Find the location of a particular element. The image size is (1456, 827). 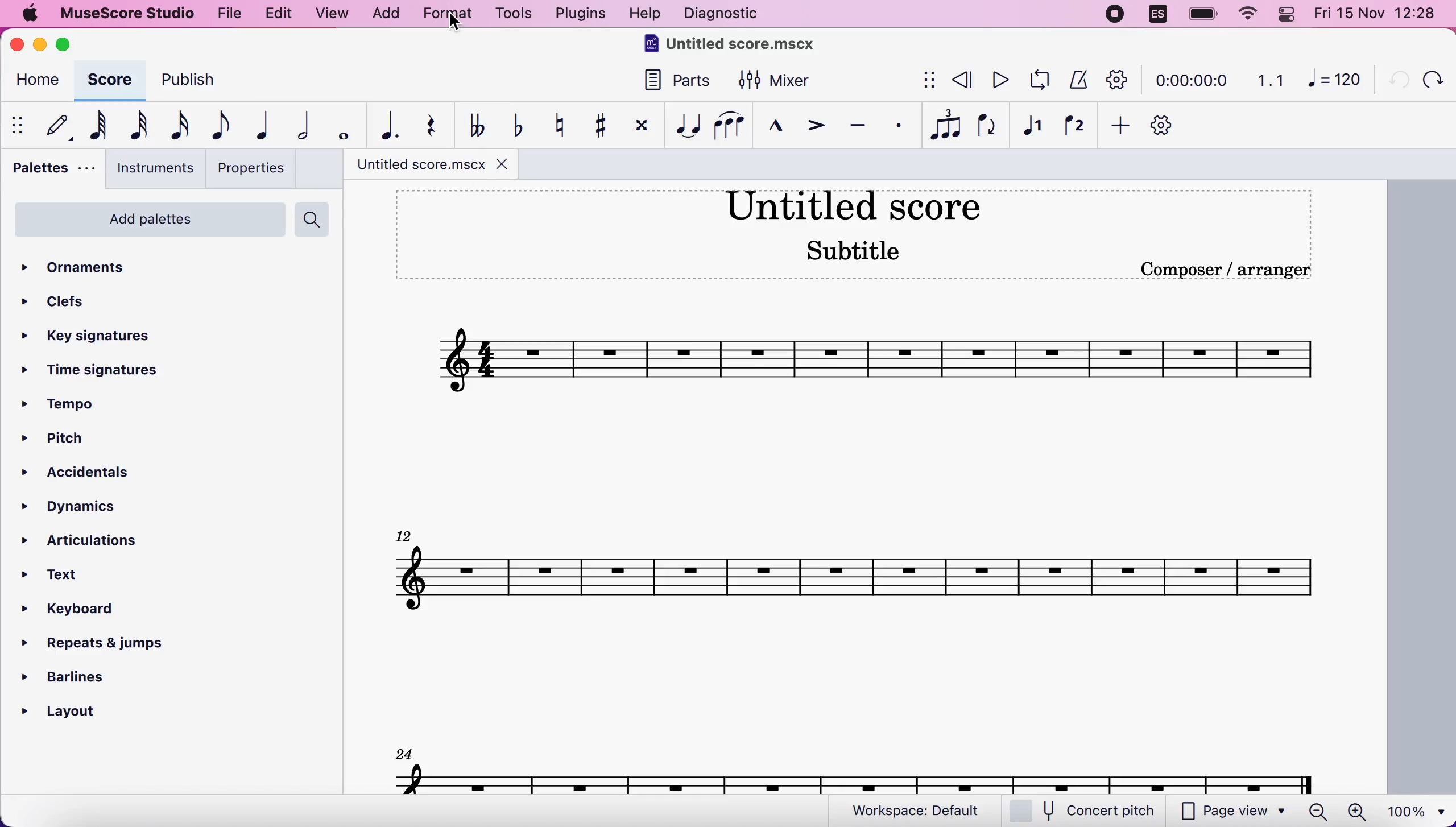

customization tool is located at coordinates (1172, 126).